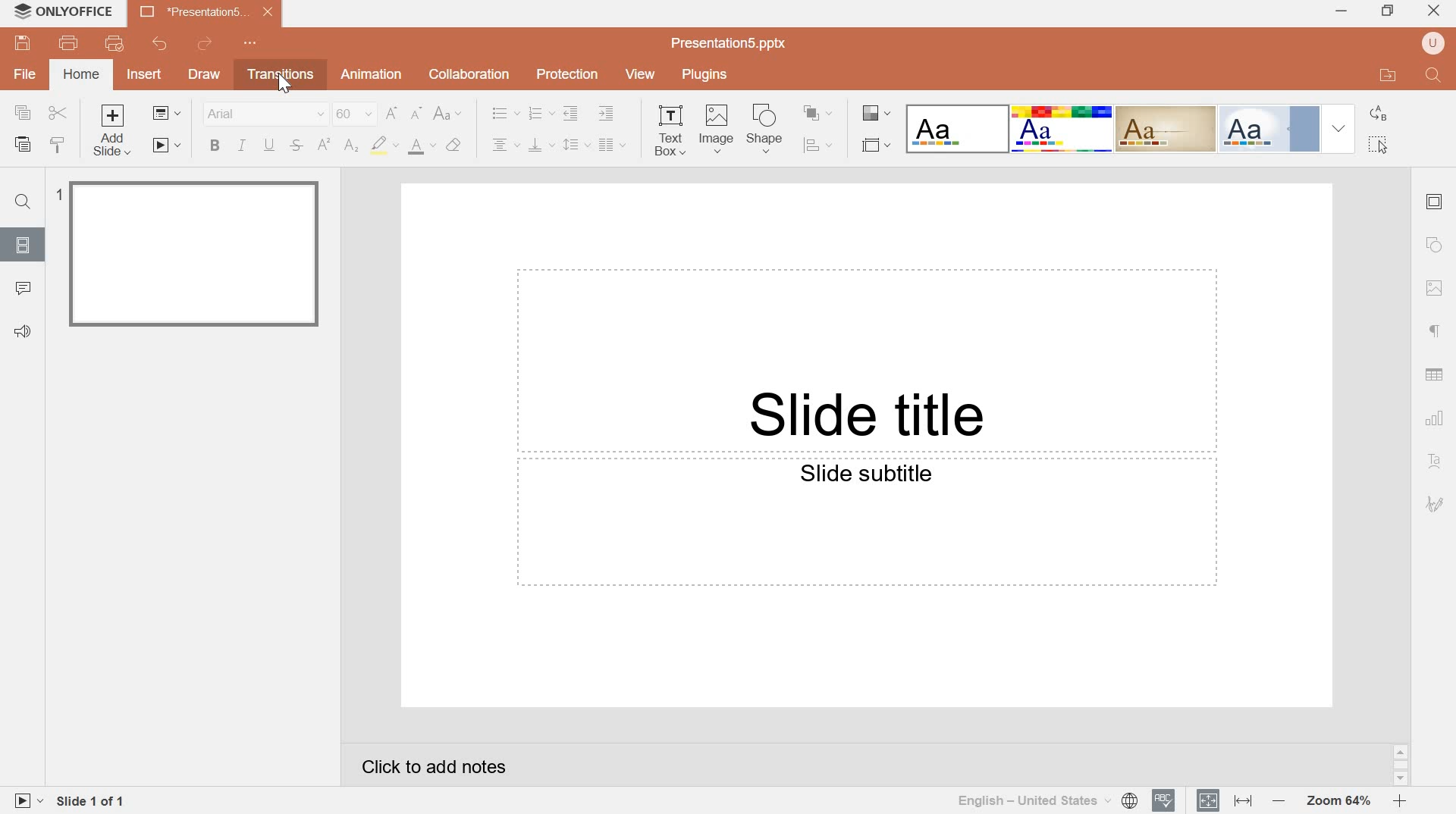 The image size is (1456, 814). Describe the element at coordinates (866, 360) in the screenshot. I see `Text field` at that location.